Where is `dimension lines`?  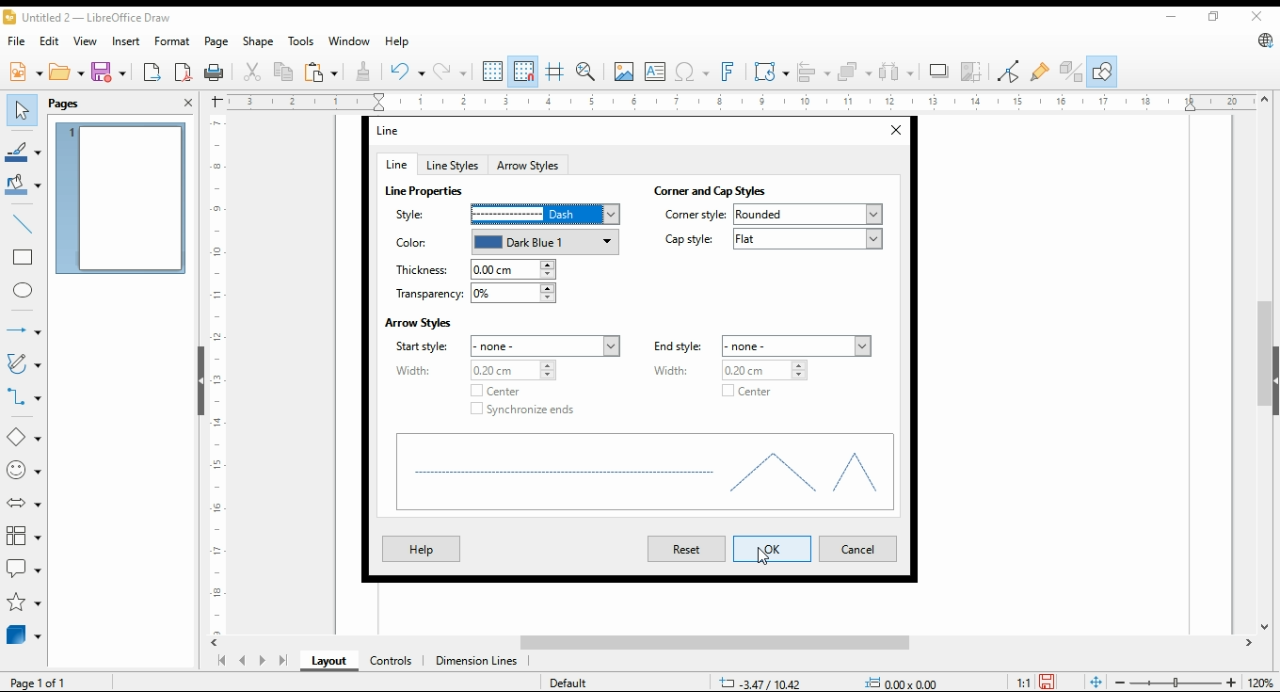 dimension lines is located at coordinates (477, 662).